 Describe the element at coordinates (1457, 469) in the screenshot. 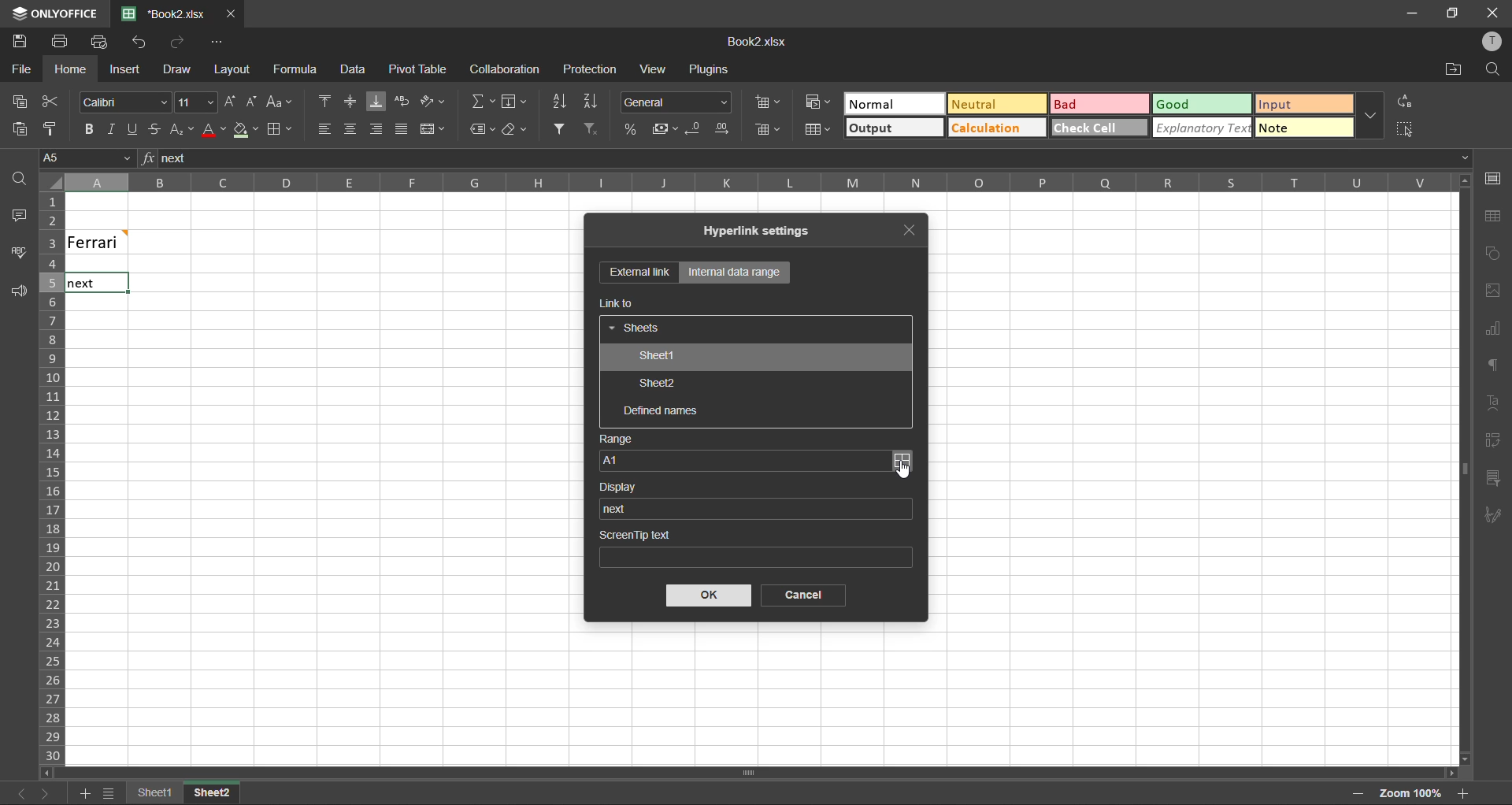

I see `Horizontal Scrollbar` at that location.